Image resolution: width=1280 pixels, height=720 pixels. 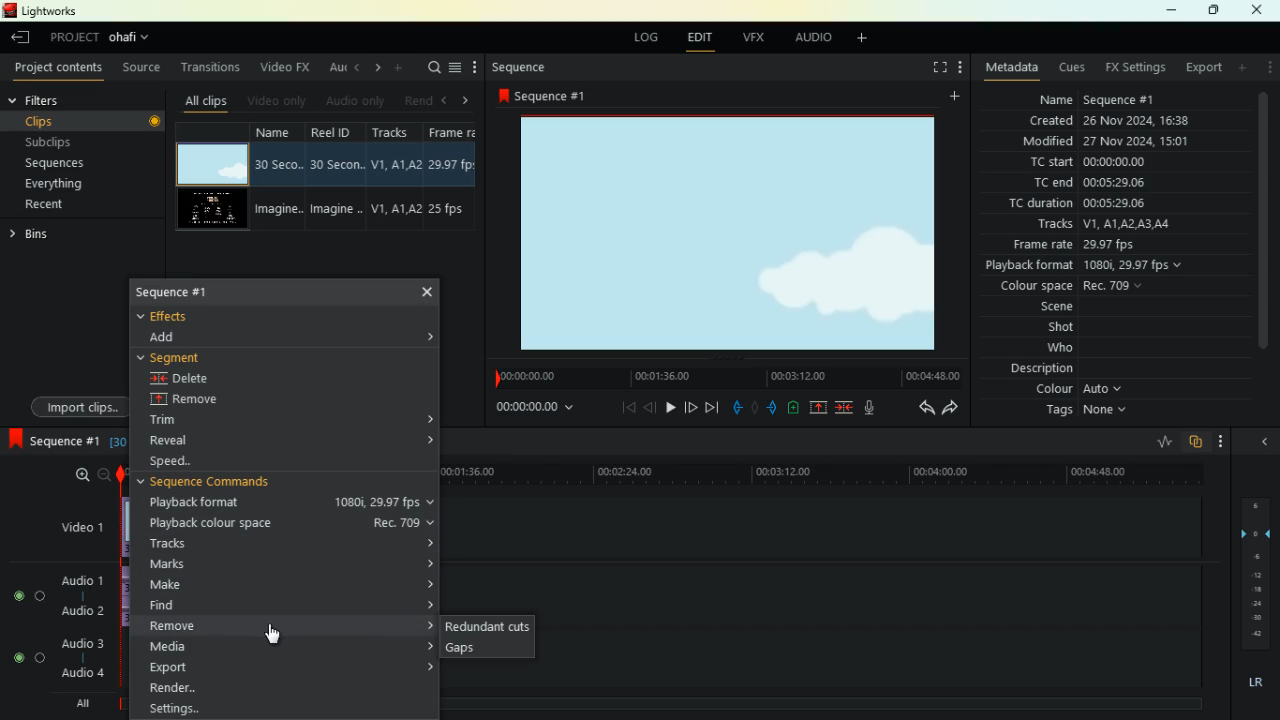 I want to click on bins, so click(x=64, y=235).